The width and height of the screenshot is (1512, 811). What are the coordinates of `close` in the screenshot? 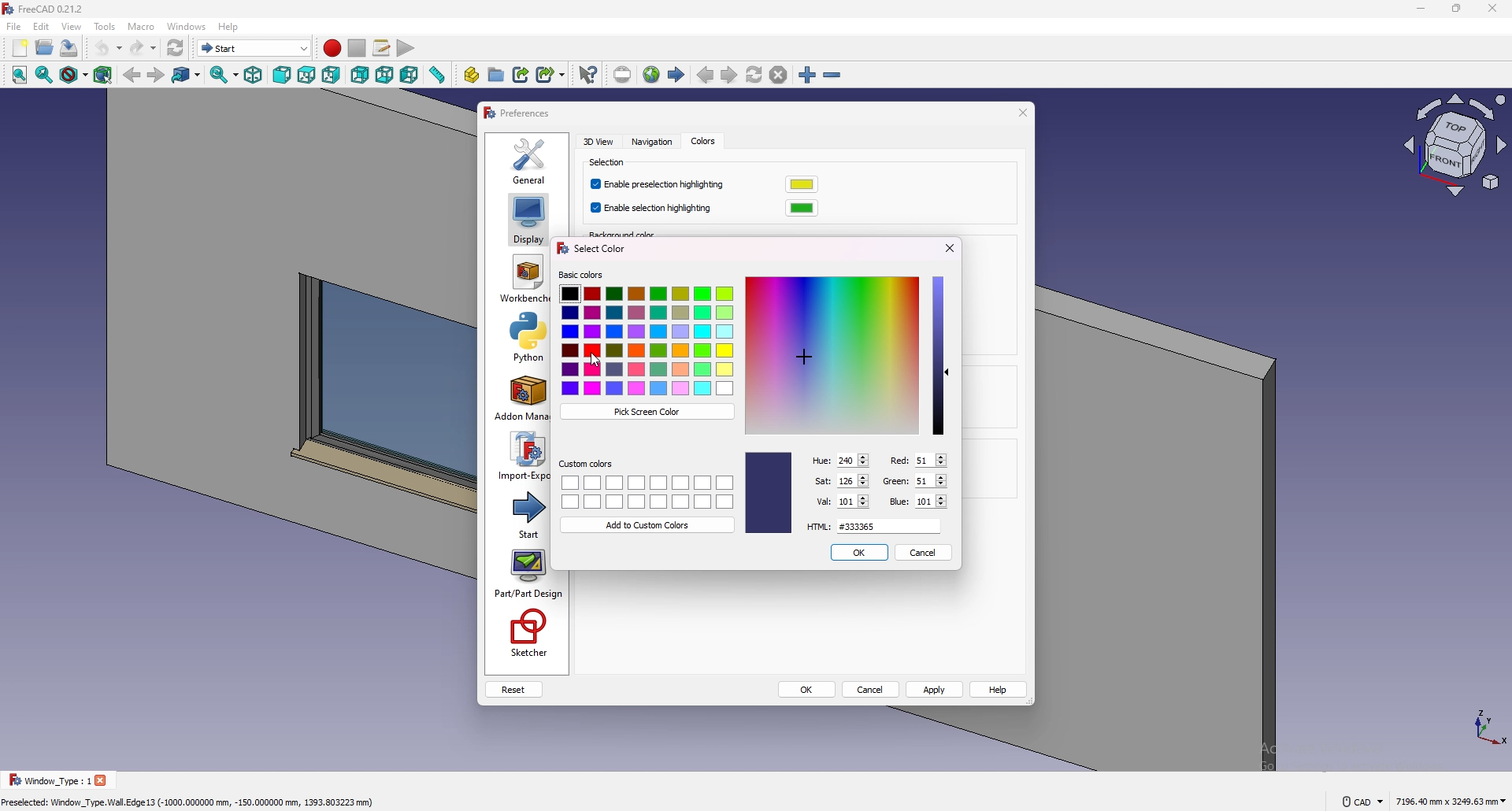 It's located at (1492, 9).